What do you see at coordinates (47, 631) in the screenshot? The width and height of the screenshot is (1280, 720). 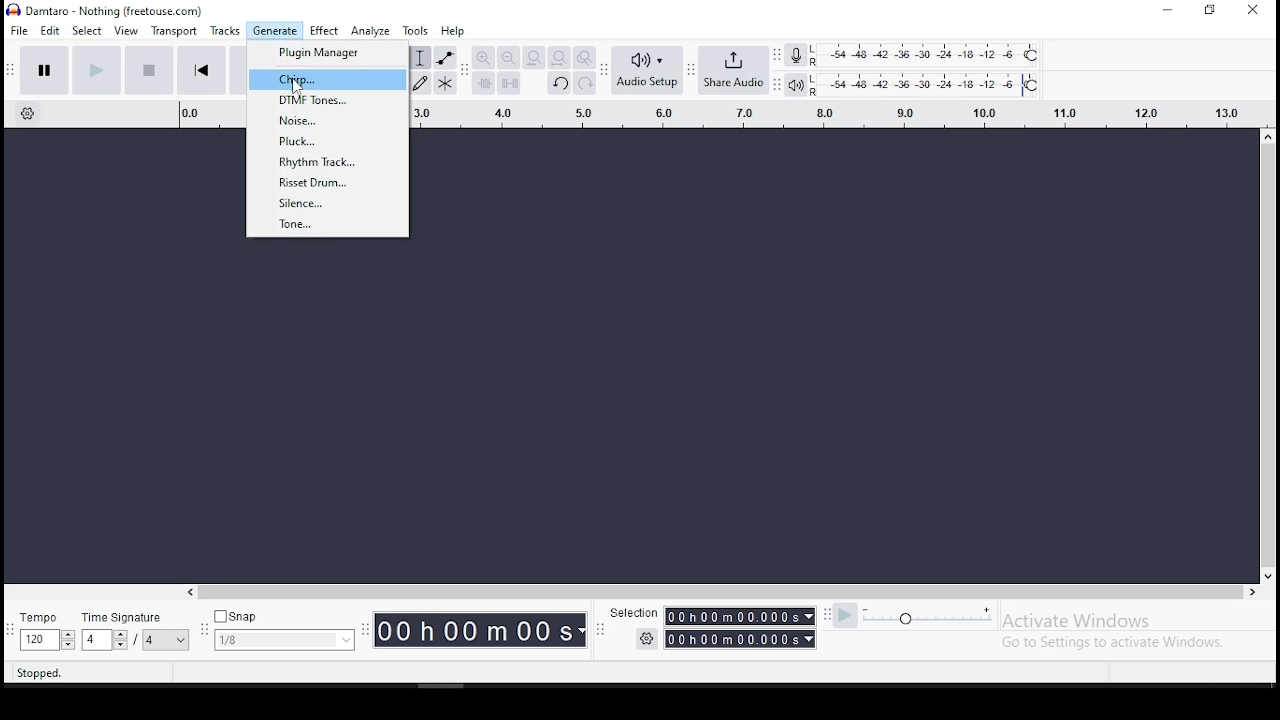 I see `tempo` at bounding box center [47, 631].